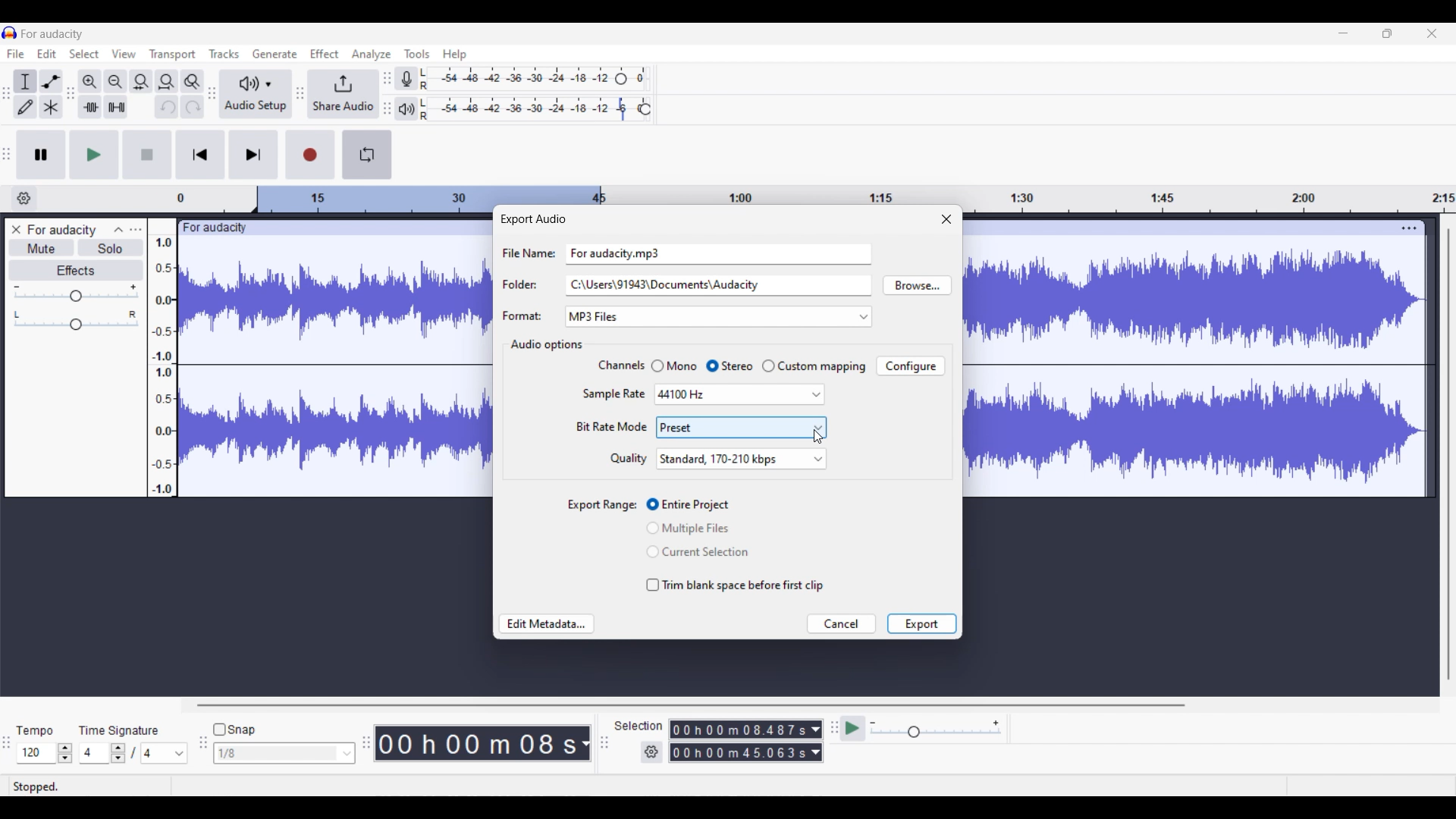  What do you see at coordinates (545, 345) in the screenshot?
I see `Section title` at bounding box center [545, 345].